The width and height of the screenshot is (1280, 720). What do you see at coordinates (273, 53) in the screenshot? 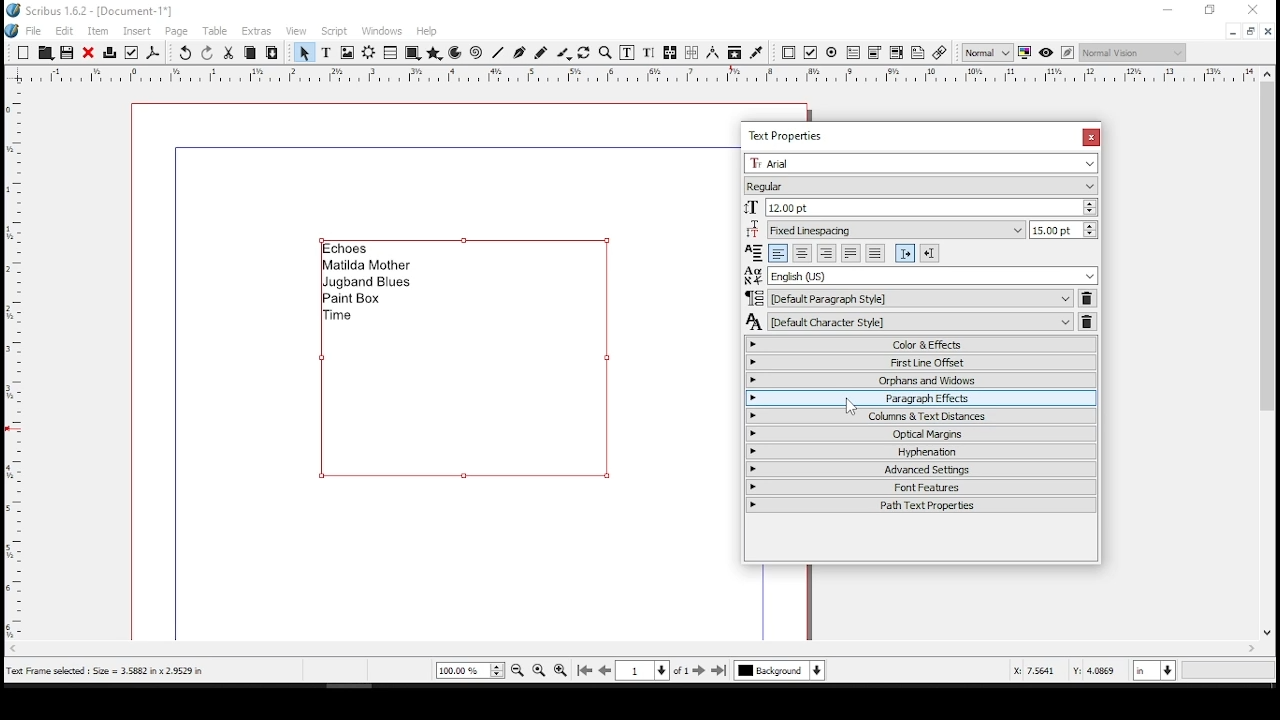
I see `paste` at bounding box center [273, 53].